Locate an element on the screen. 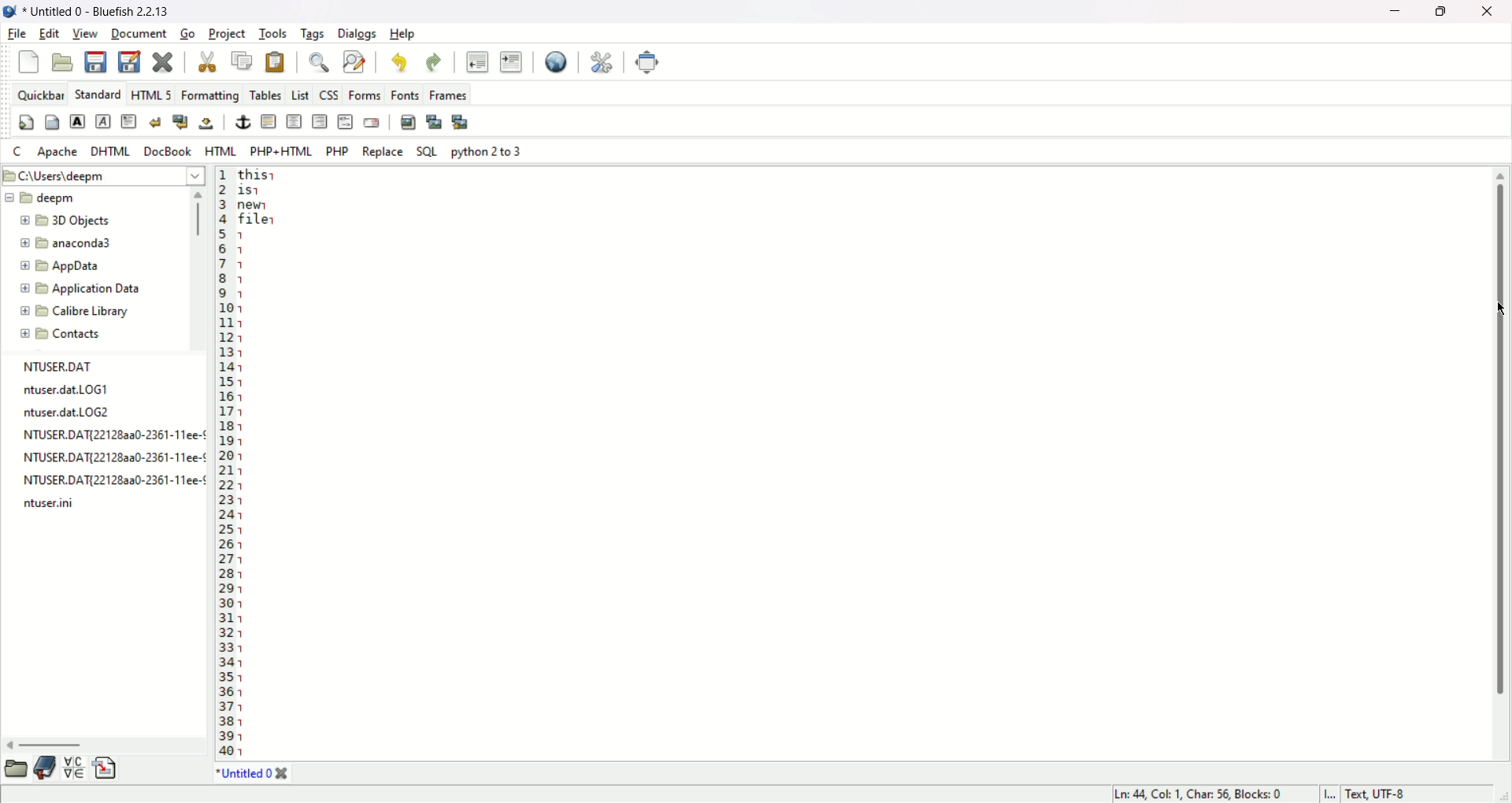  quickbar is located at coordinates (40, 94).